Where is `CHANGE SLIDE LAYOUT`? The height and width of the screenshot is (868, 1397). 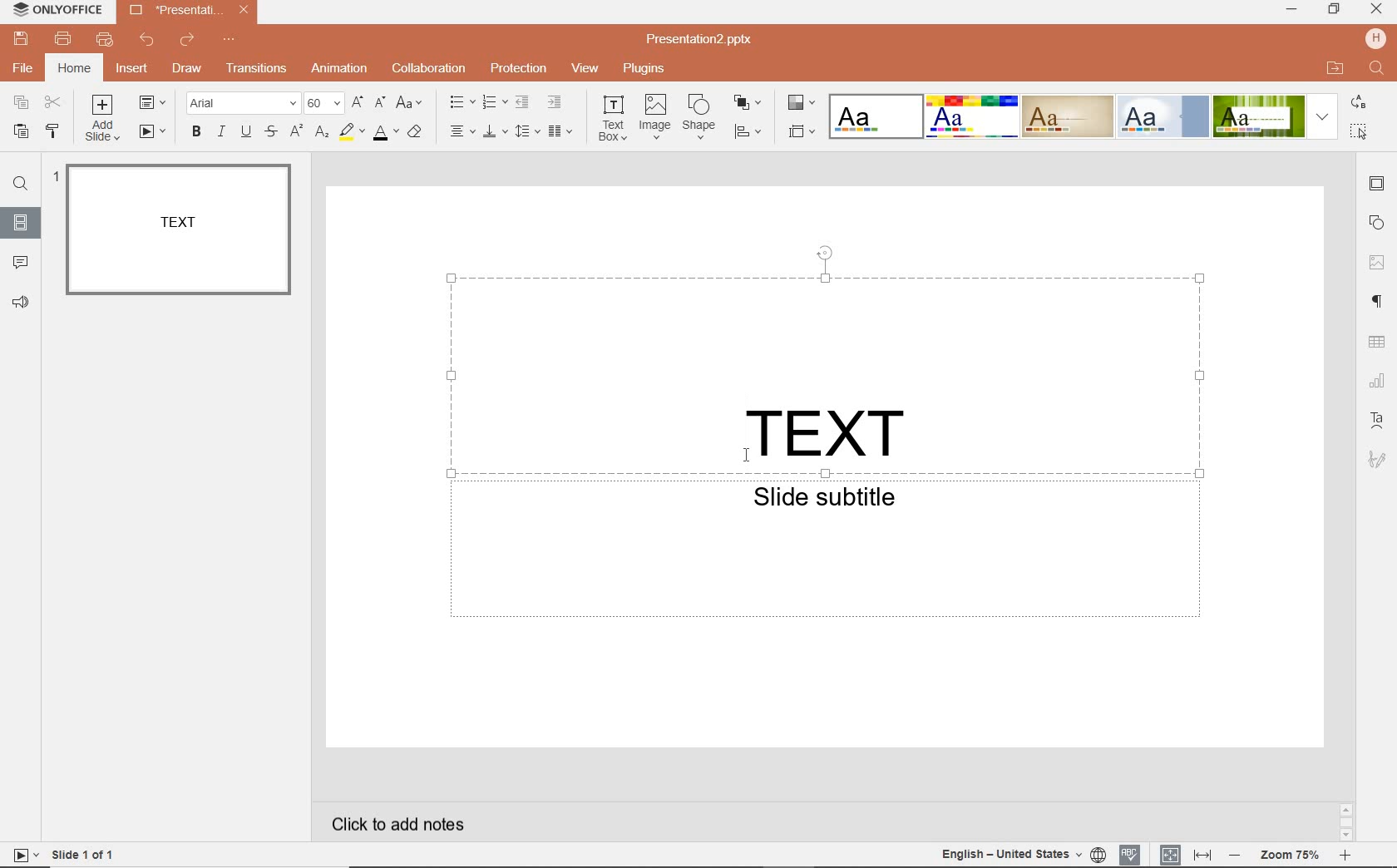 CHANGE SLIDE LAYOUT is located at coordinates (156, 104).